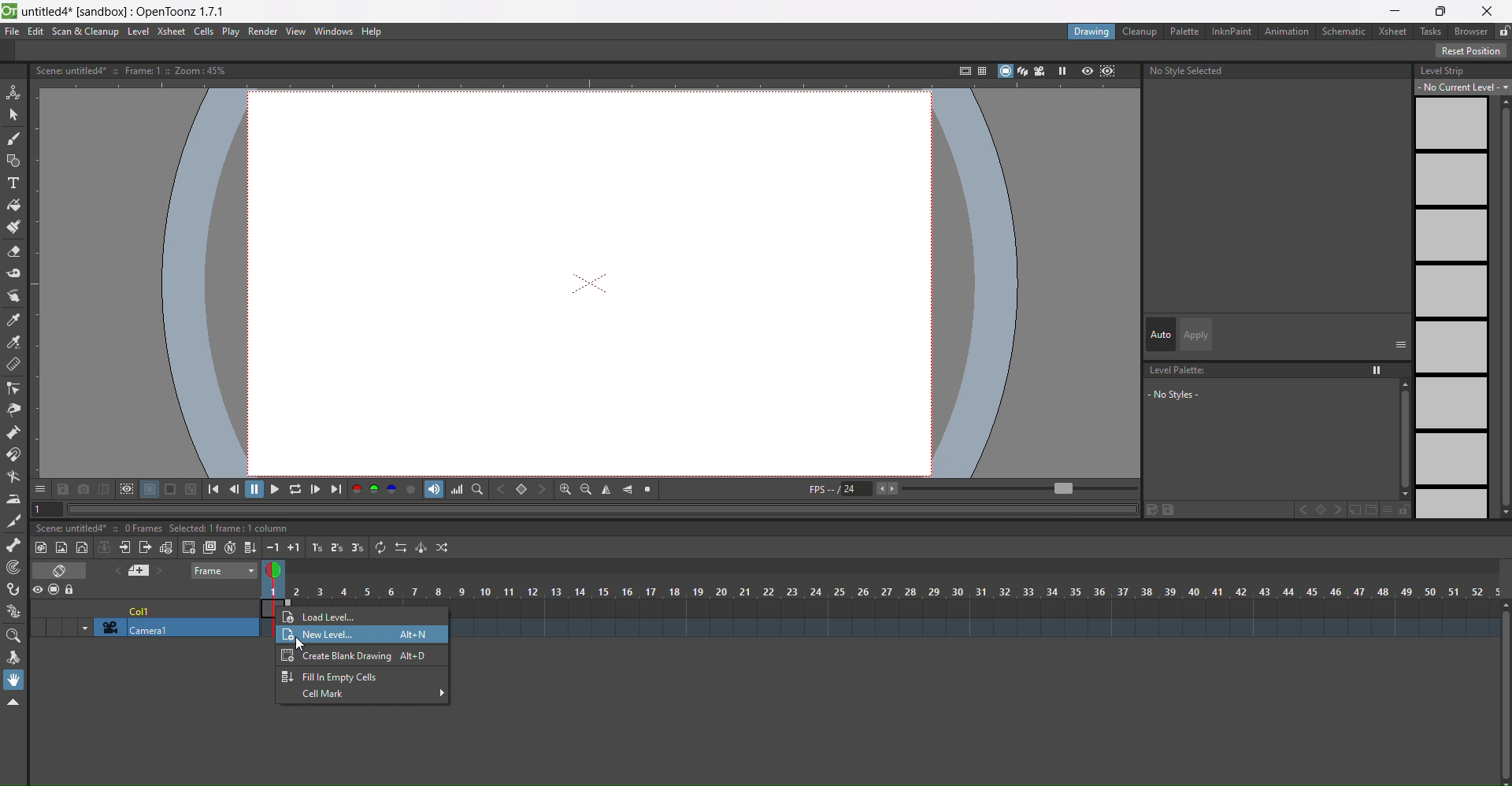 The height and width of the screenshot is (786, 1512). I want to click on sub camera preview, so click(1109, 72).